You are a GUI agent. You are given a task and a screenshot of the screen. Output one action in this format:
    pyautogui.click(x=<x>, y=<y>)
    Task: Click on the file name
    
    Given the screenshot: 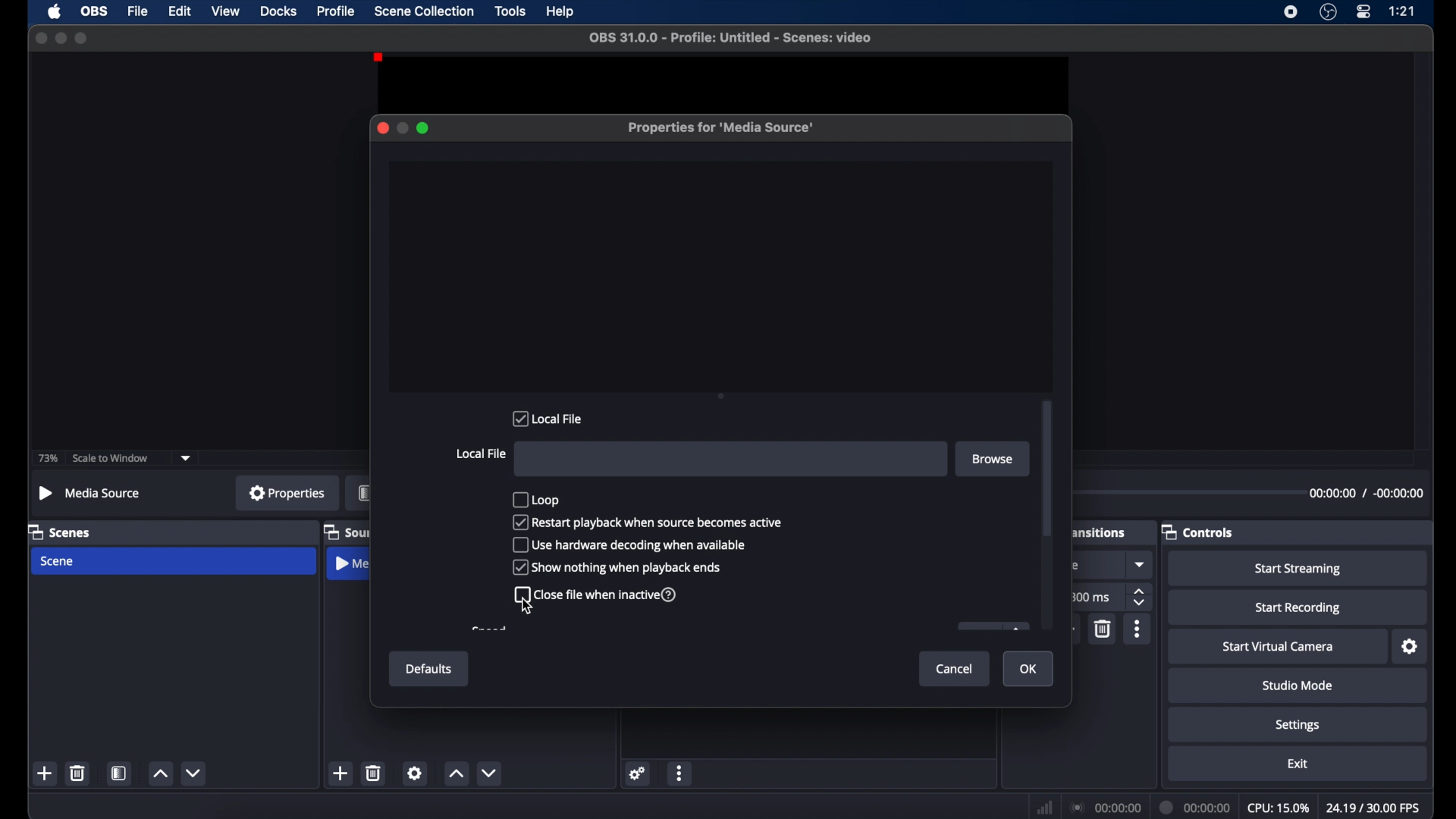 What is the action you would take?
    pyautogui.click(x=731, y=38)
    